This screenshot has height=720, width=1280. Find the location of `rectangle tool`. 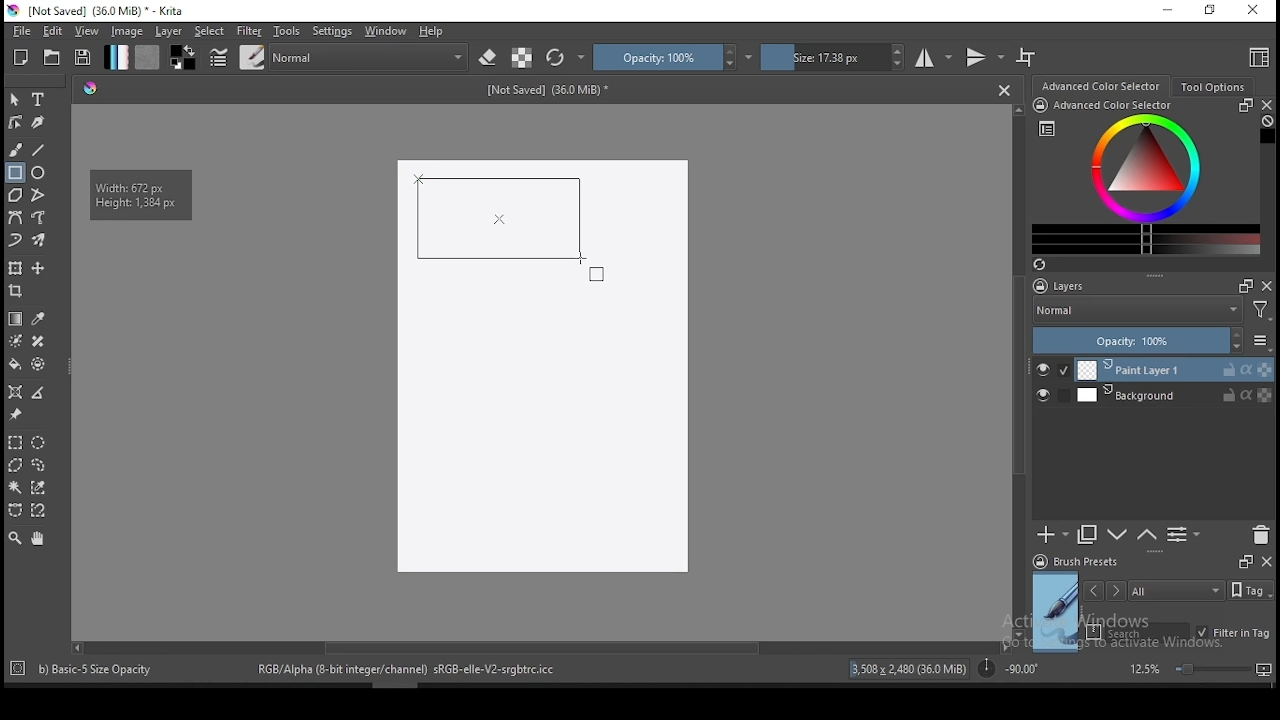

rectangle tool is located at coordinates (15, 173).